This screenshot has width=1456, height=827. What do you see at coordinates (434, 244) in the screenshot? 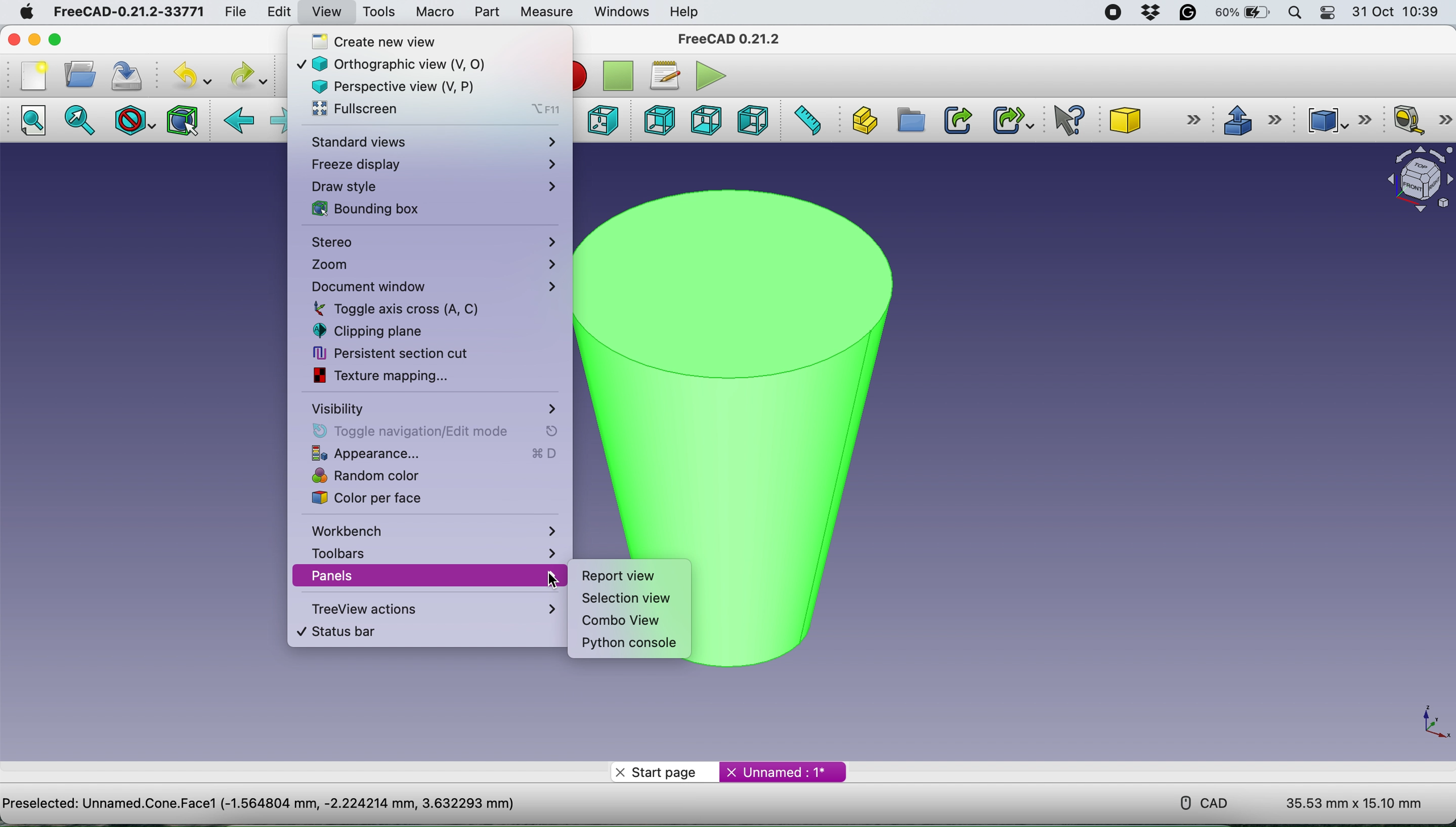
I see `stereo` at bounding box center [434, 244].